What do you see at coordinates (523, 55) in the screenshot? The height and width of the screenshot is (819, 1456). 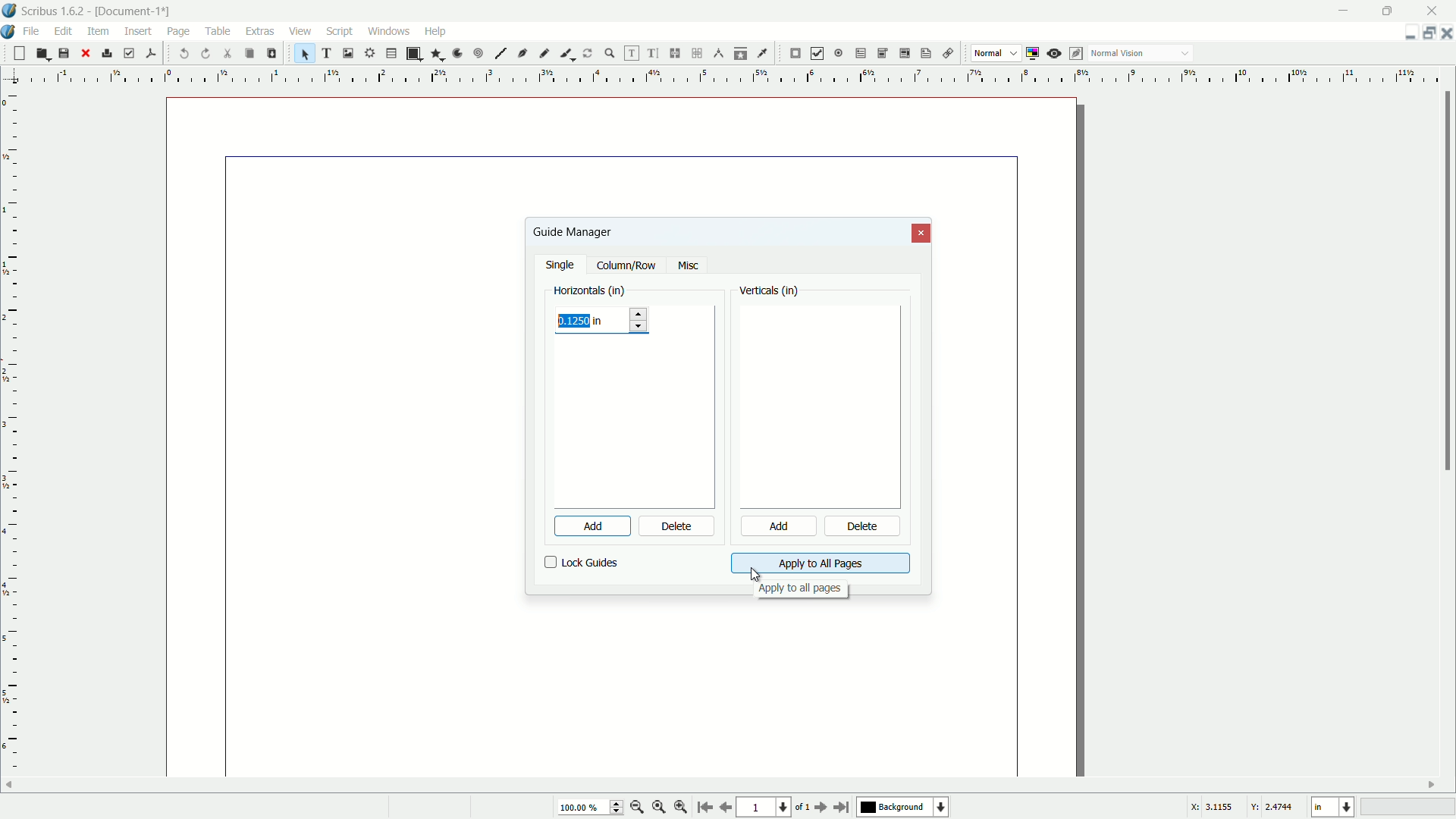 I see `bezier curve` at bounding box center [523, 55].